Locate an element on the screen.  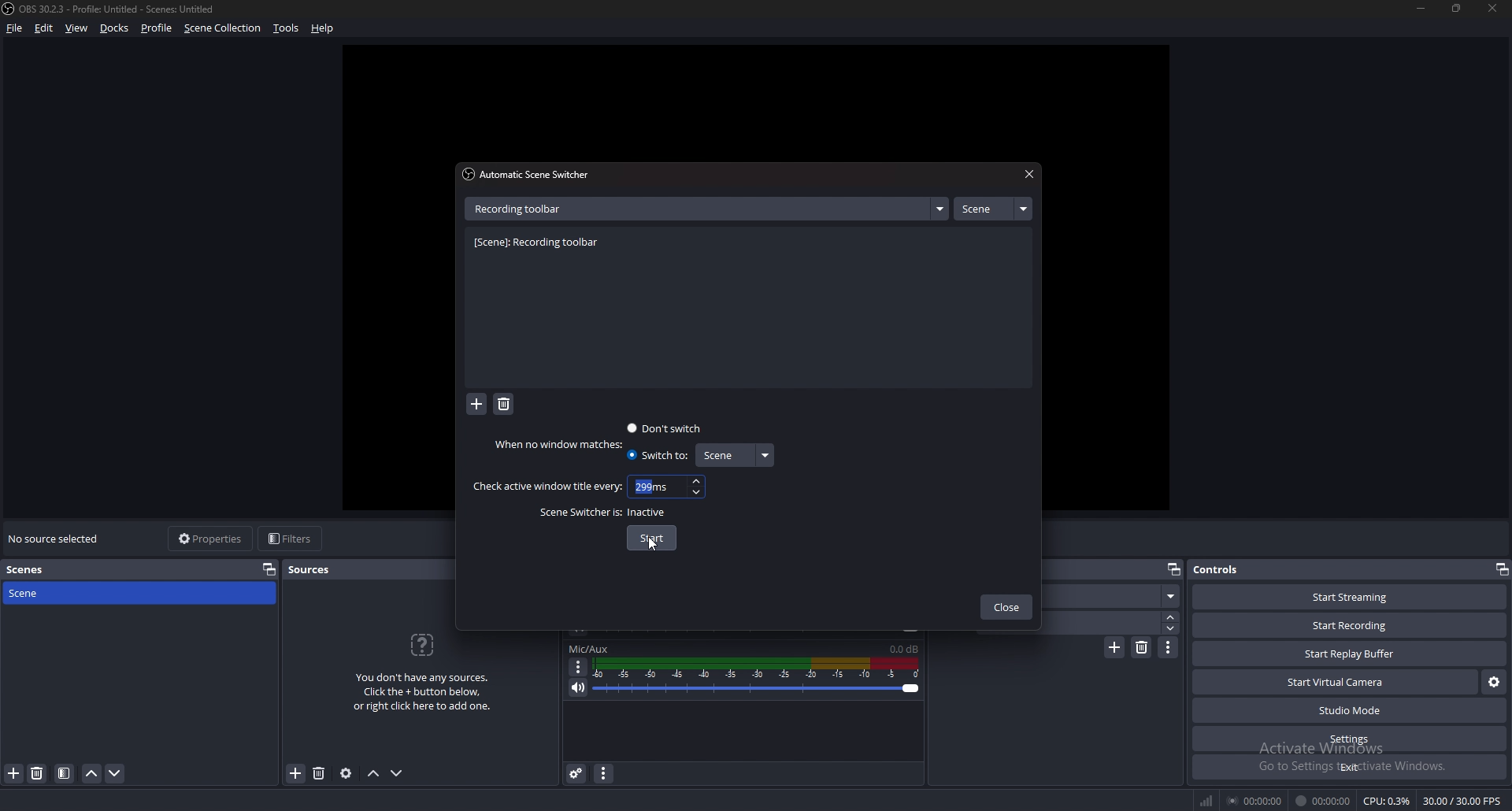
pop out is located at coordinates (1501, 569).